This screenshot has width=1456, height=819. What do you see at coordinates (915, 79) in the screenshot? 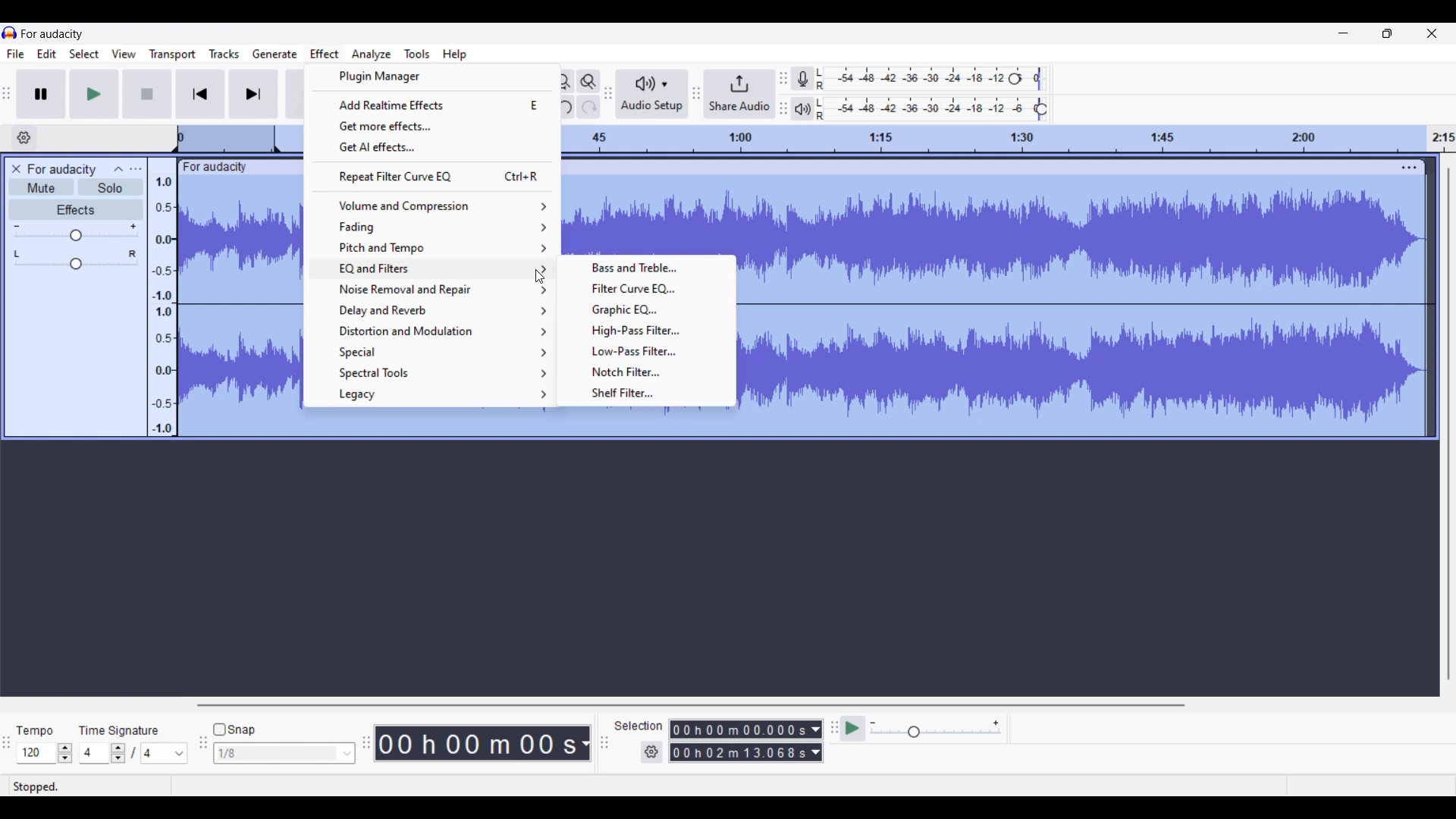
I see `Recording level` at bounding box center [915, 79].